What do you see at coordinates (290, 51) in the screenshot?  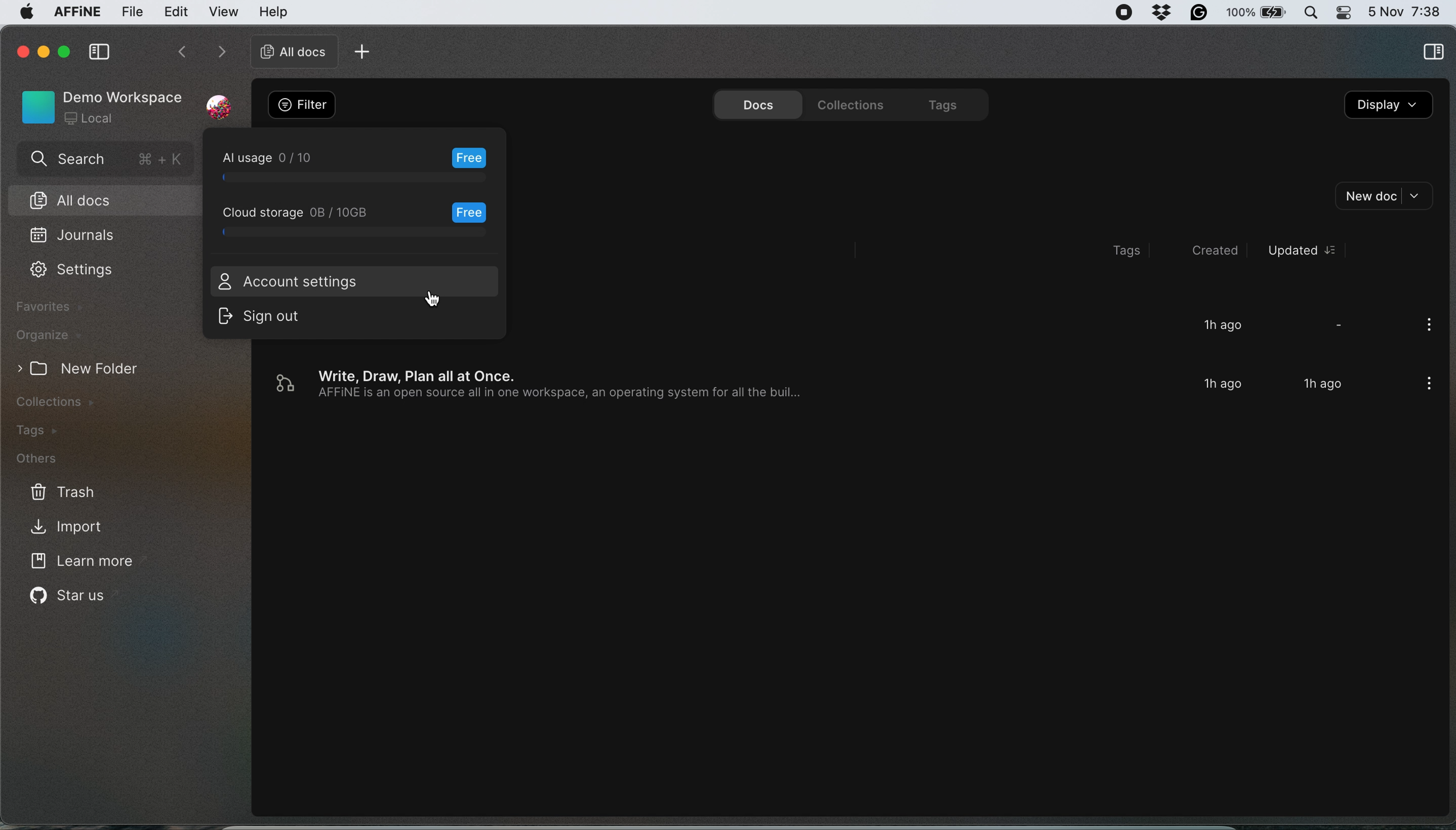 I see `all docs` at bounding box center [290, 51].